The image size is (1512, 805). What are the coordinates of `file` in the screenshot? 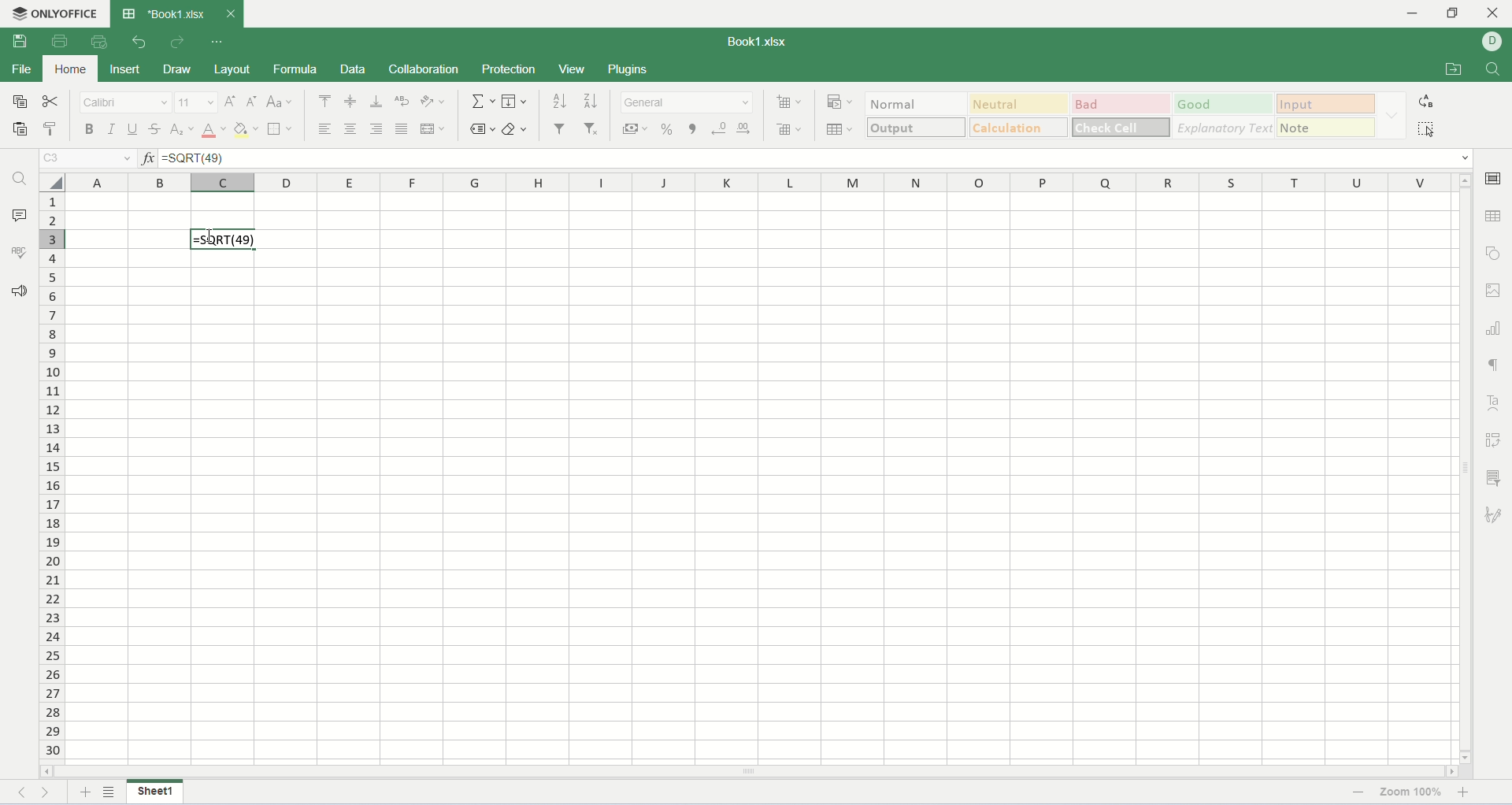 It's located at (20, 69).